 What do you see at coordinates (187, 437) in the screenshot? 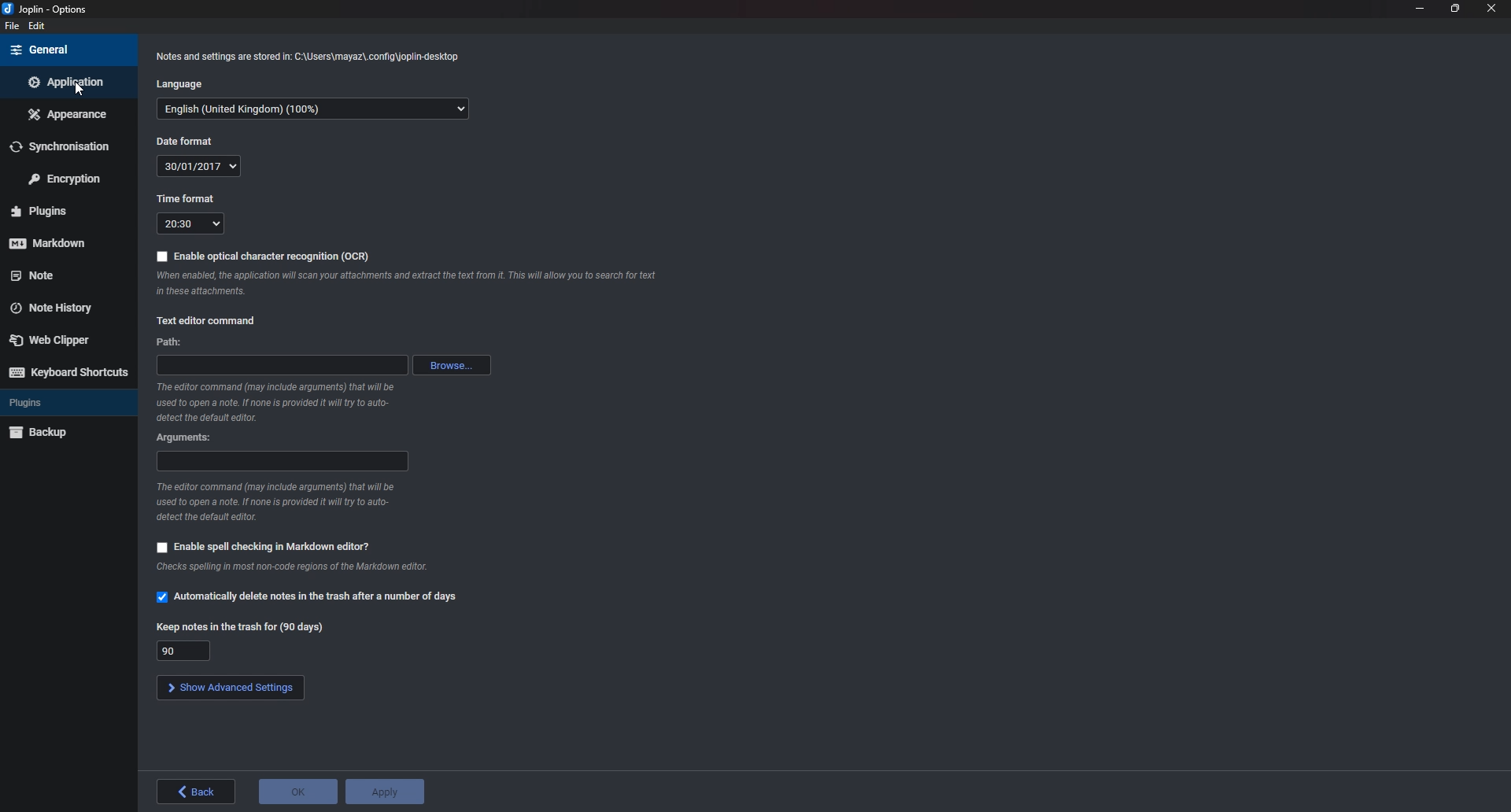
I see `Arguments` at bounding box center [187, 437].